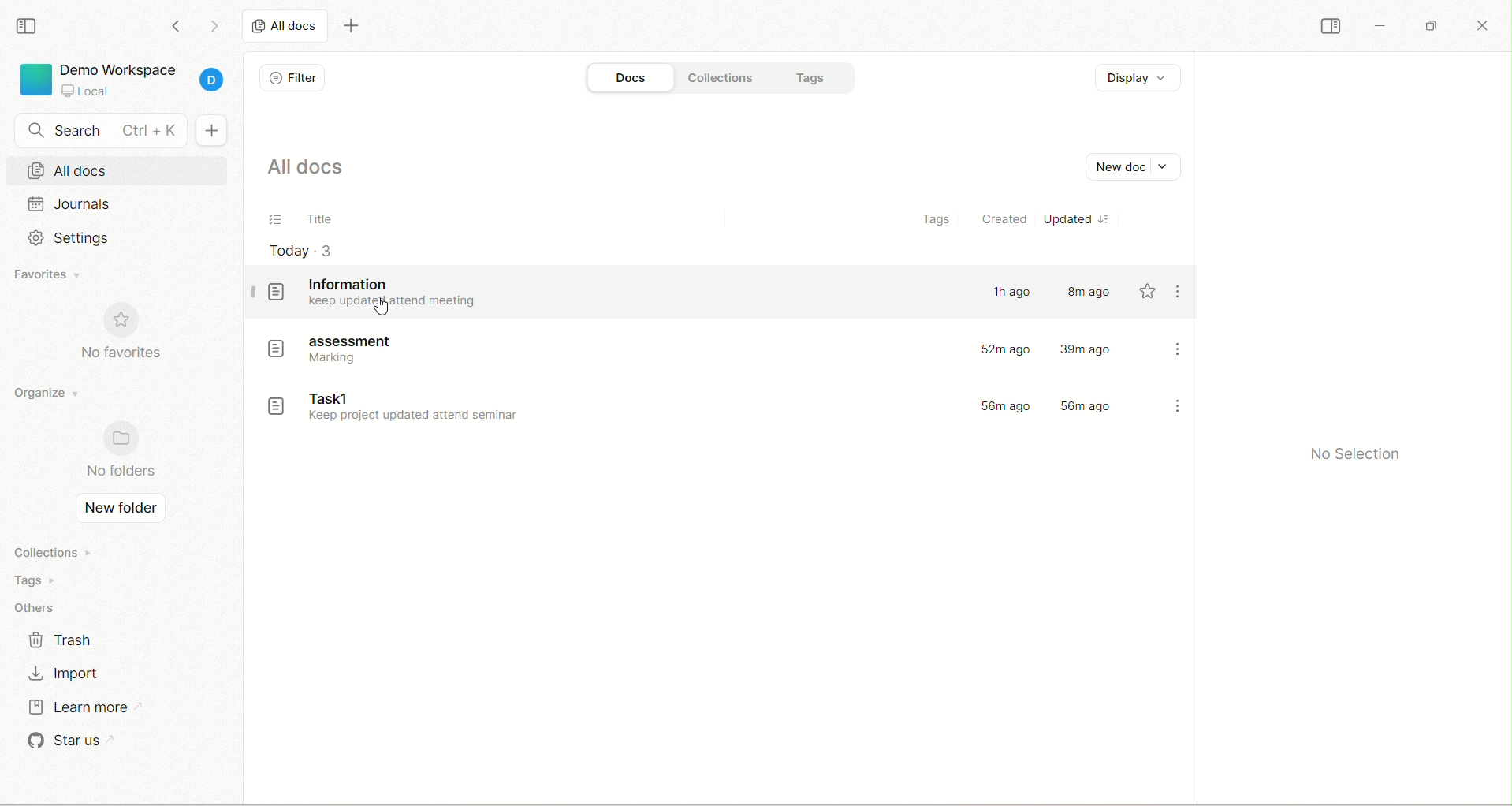 This screenshot has height=806, width=1512. Describe the element at coordinates (357, 27) in the screenshot. I see `new tab` at that location.